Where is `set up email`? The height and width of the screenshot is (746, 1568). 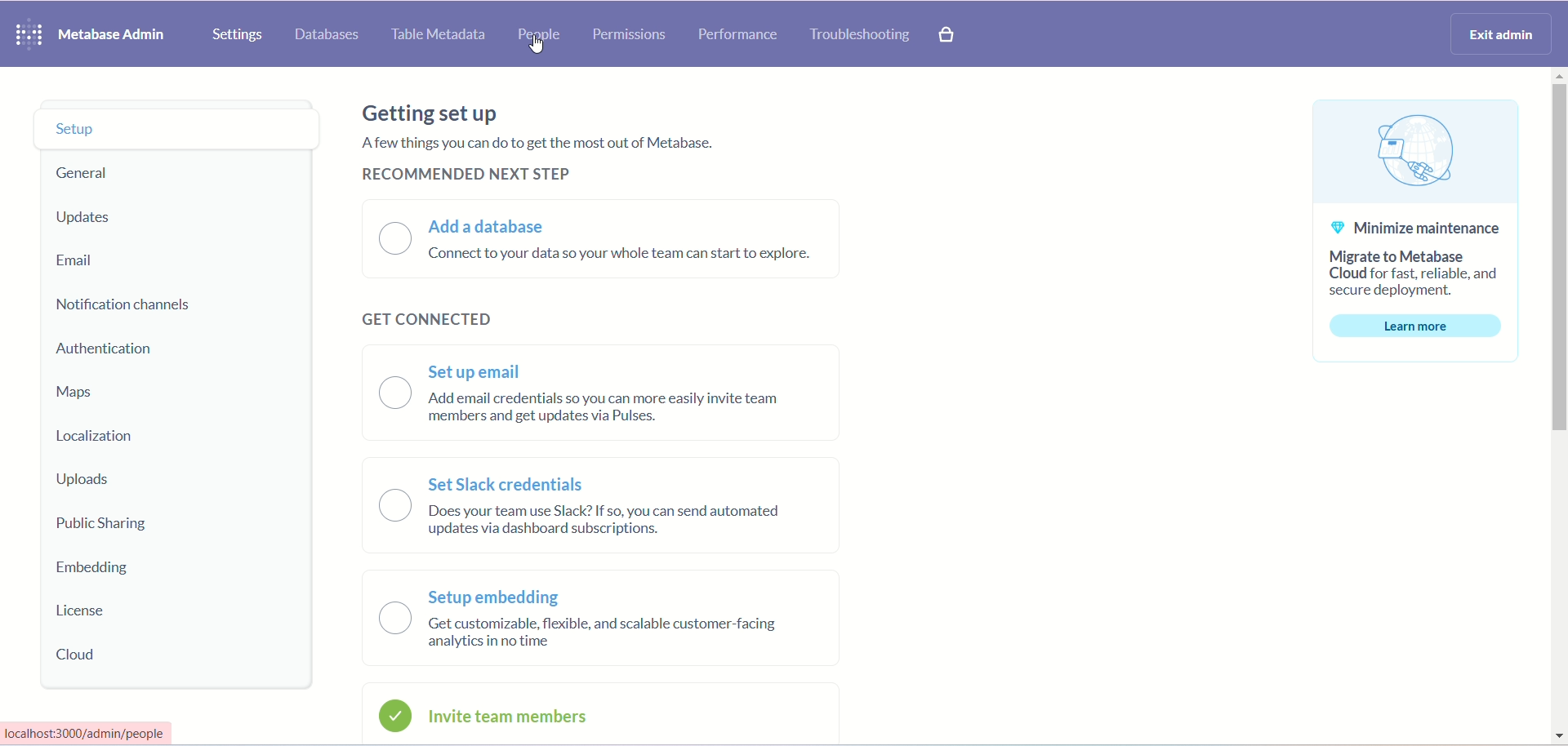
set up email is located at coordinates (616, 397).